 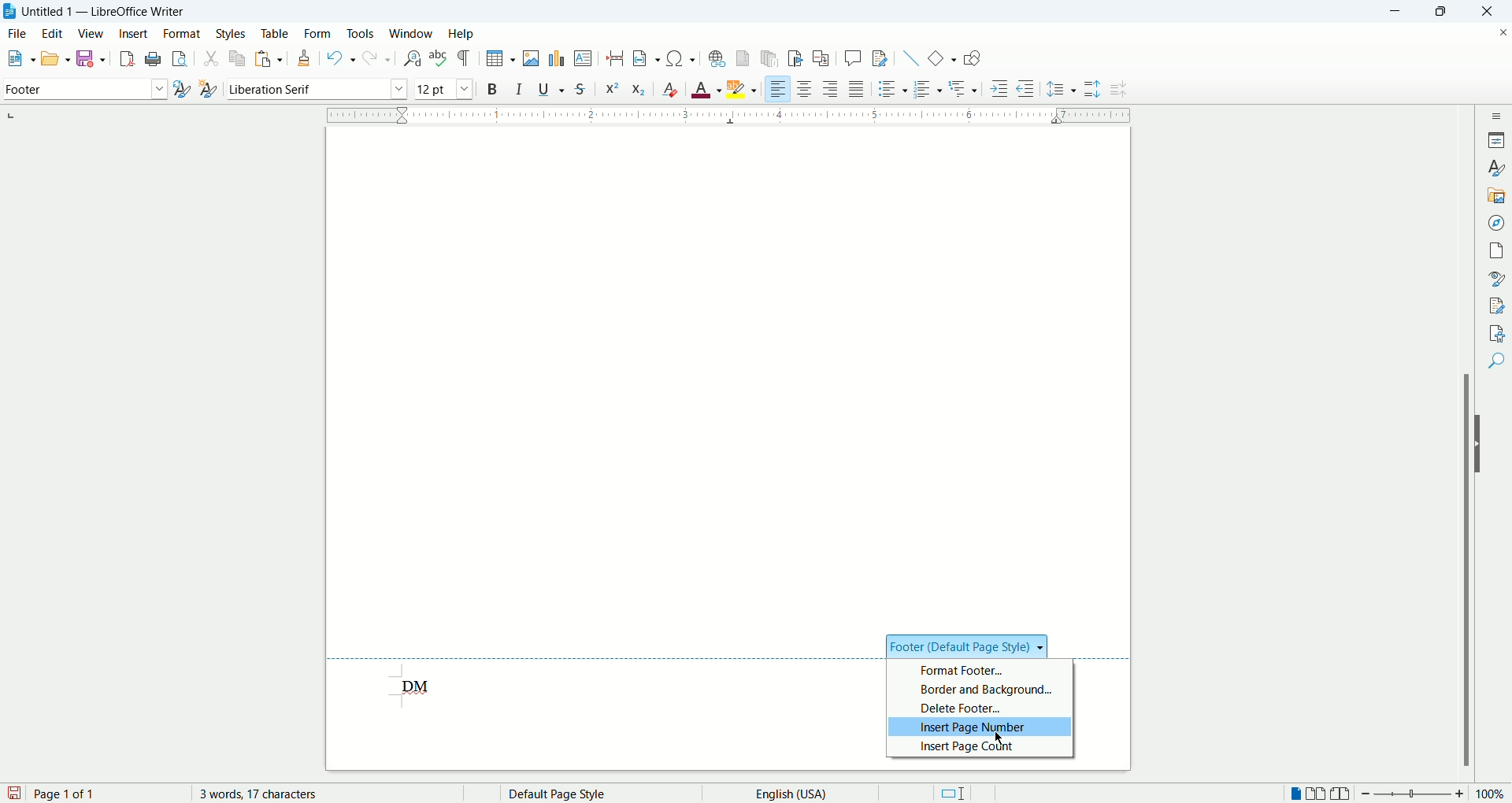 What do you see at coordinates (443, 88) in the screenshot?
I see `font size` at bounding box center [443, 88].